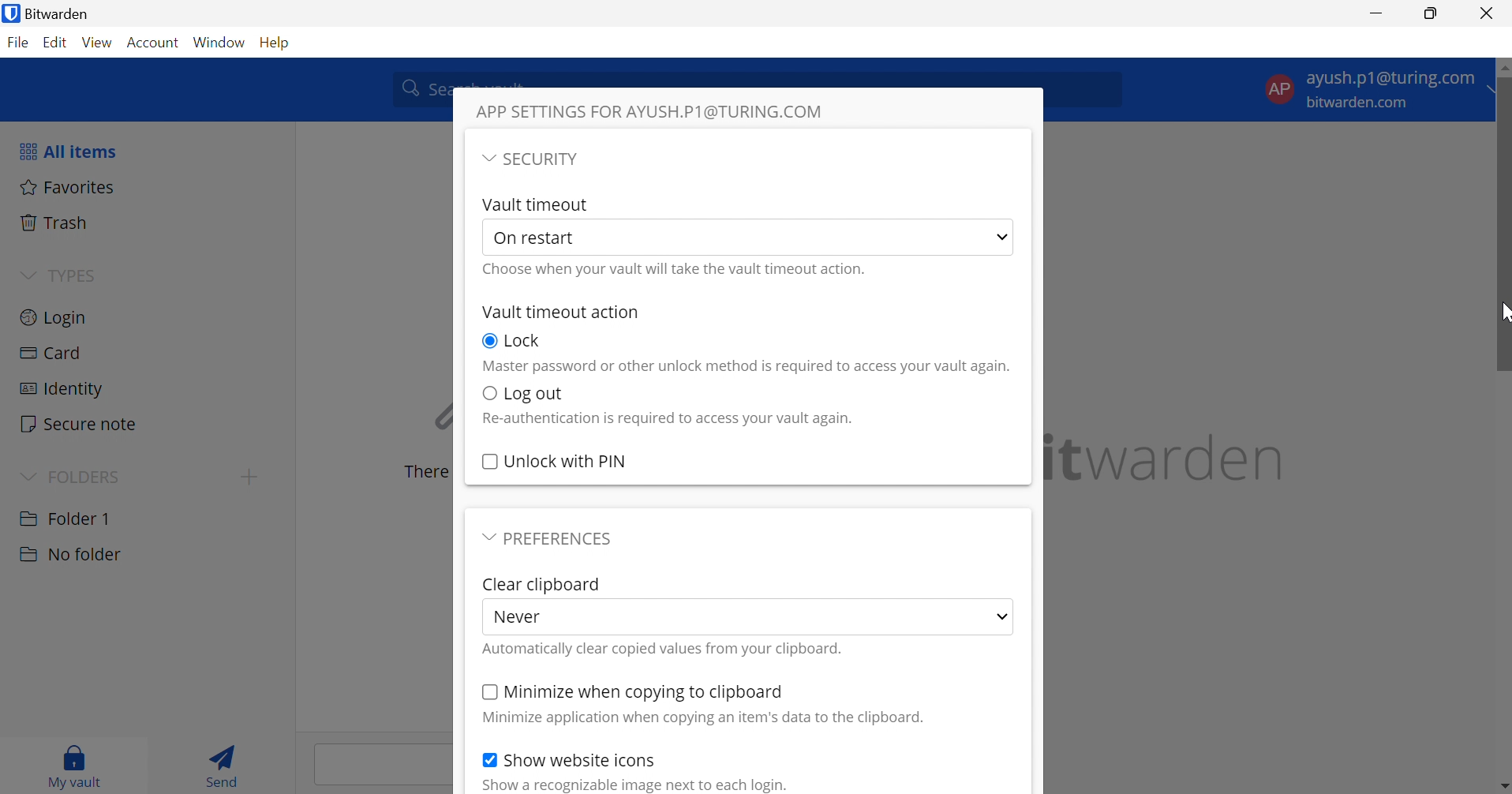  What do you see at coordinates (1501, 315) in the screenshot?
I see `cursor` at bounding box center [1501, 315].